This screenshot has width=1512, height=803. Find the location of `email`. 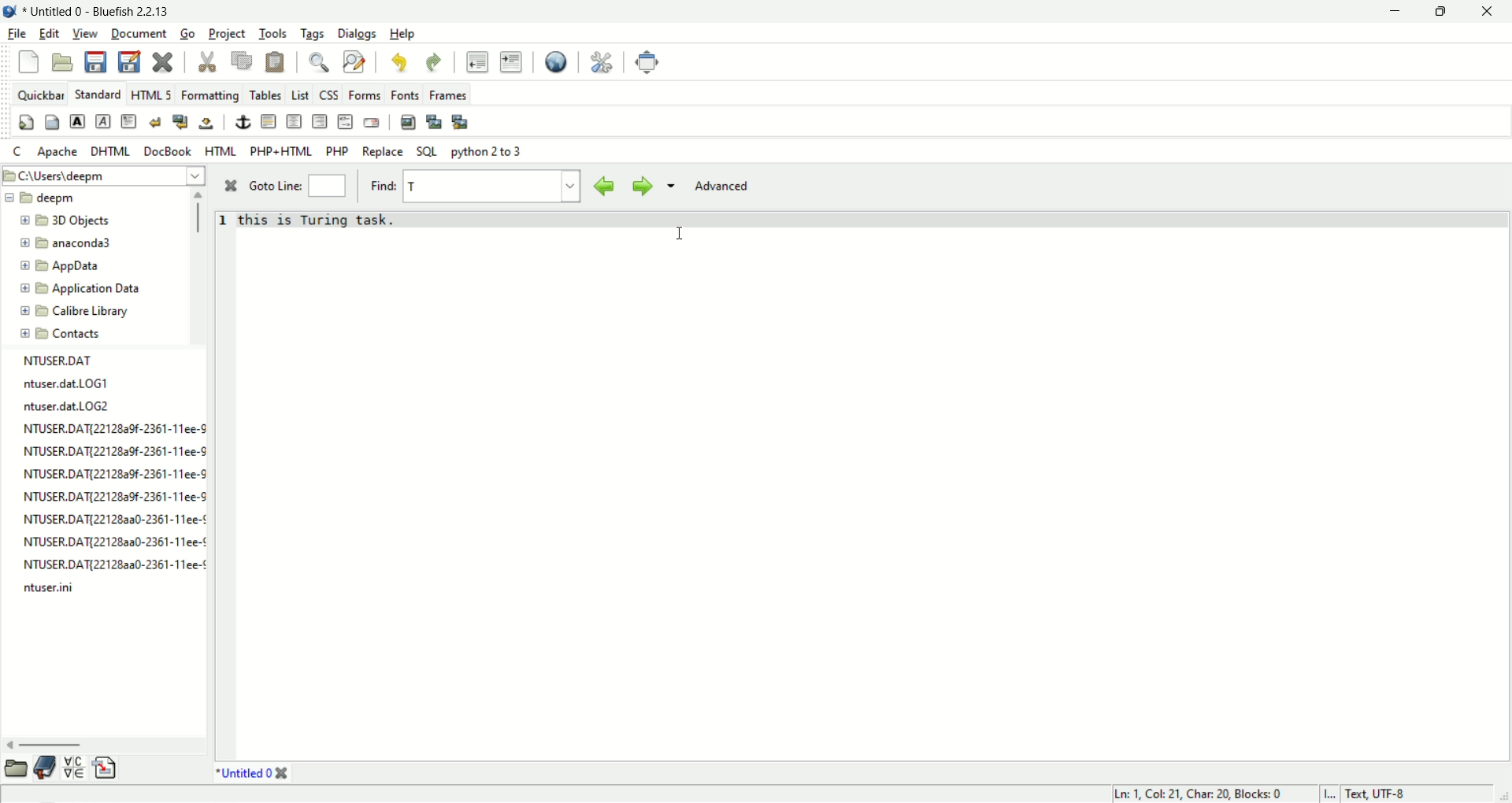

email is located at coordinates (371, 123).